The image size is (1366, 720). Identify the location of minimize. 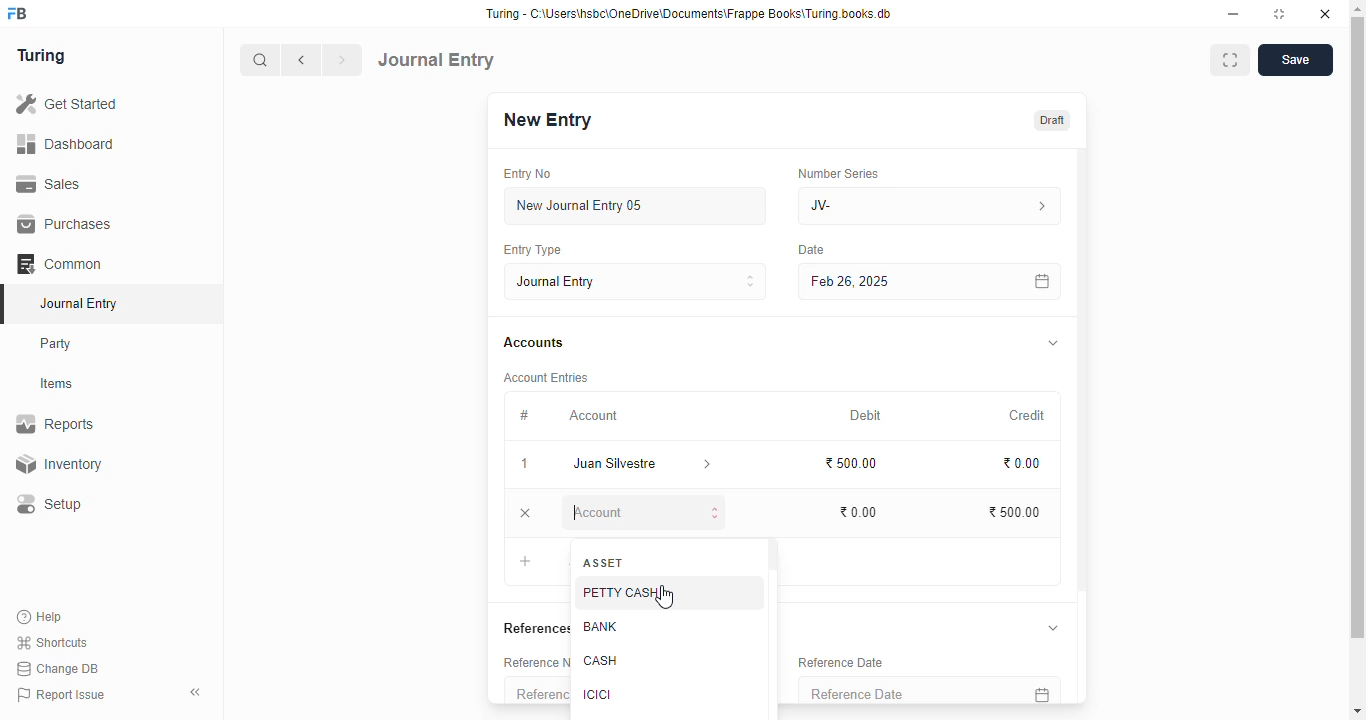
(1232, 14).